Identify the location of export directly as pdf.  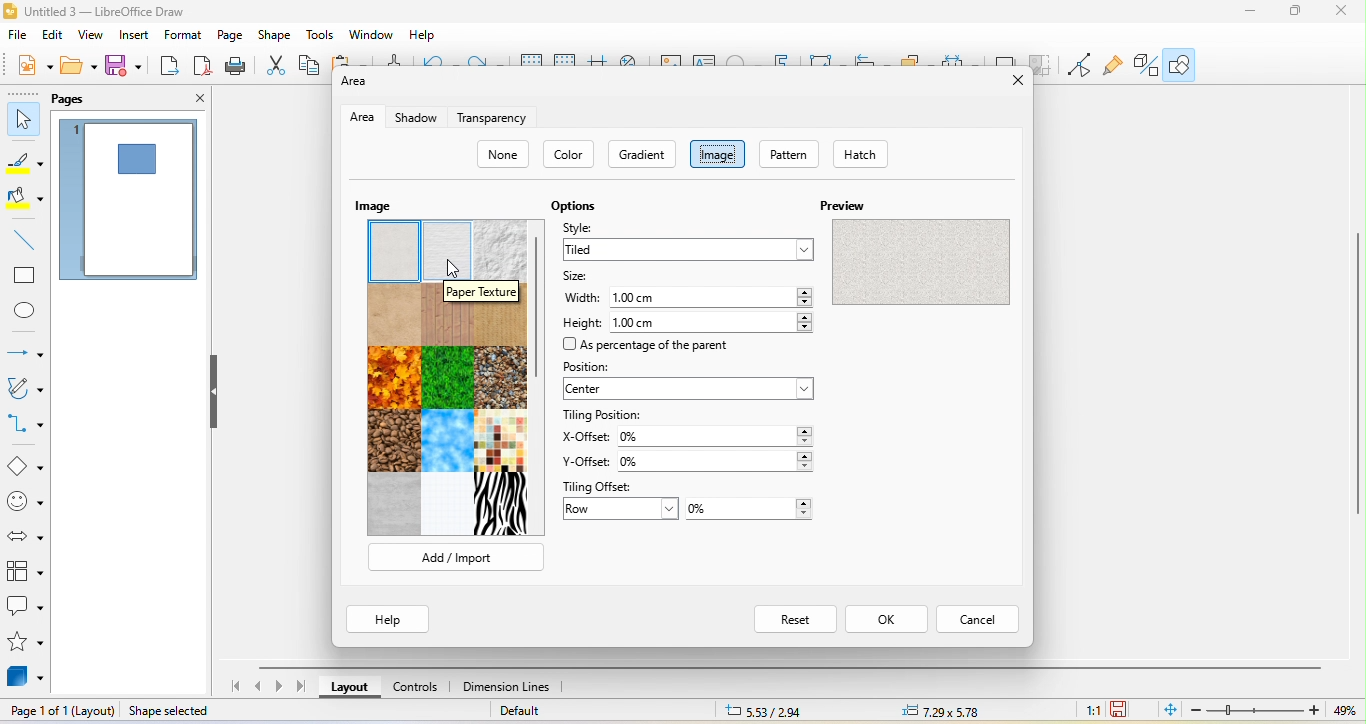
(206, 69).